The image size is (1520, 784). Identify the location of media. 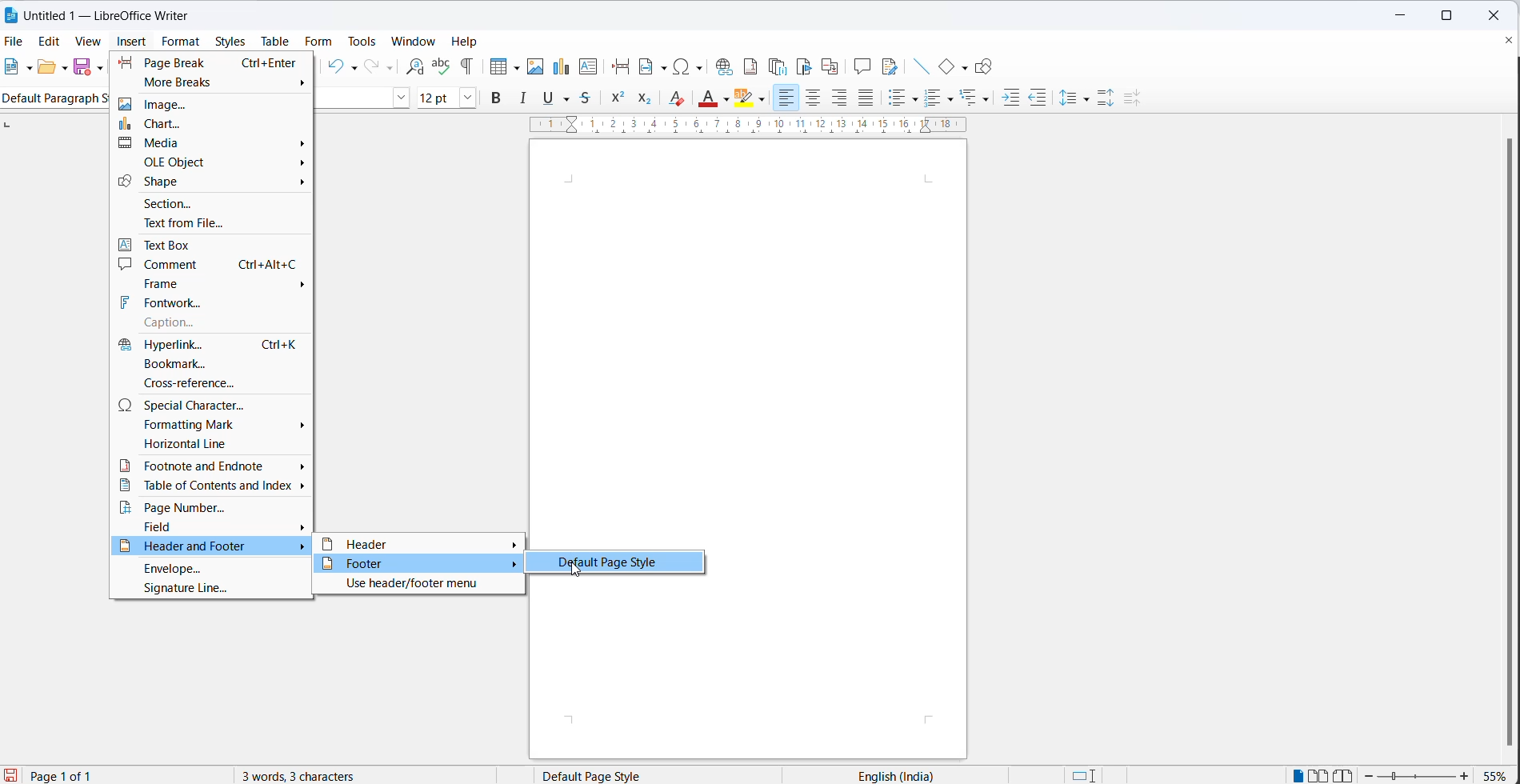
(211, 143).